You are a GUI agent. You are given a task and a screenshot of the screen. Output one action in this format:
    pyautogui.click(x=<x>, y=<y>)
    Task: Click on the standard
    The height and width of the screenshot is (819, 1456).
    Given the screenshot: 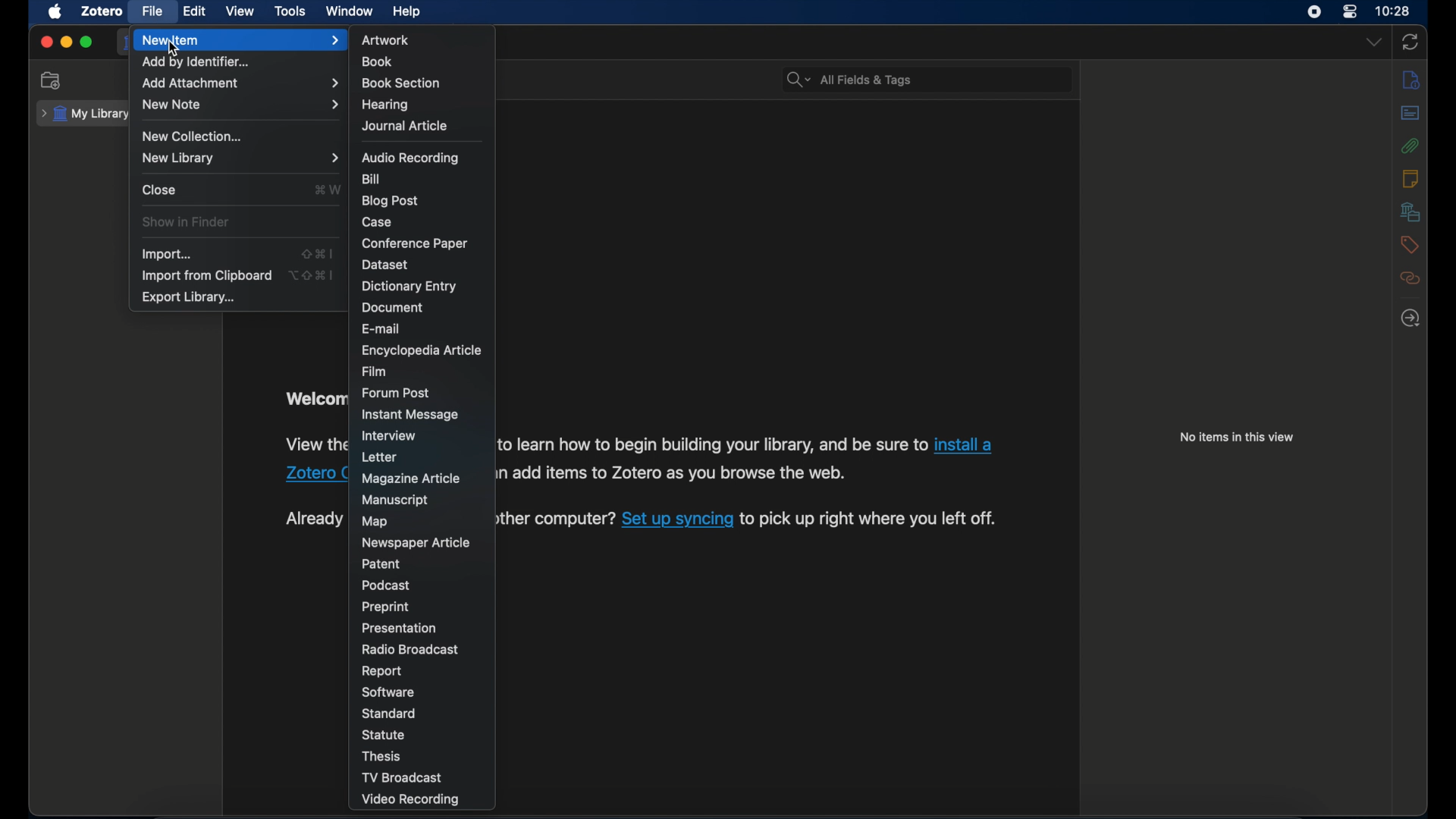 What is the action you would take?
    pyautogui.click(x=392, y=714)
    